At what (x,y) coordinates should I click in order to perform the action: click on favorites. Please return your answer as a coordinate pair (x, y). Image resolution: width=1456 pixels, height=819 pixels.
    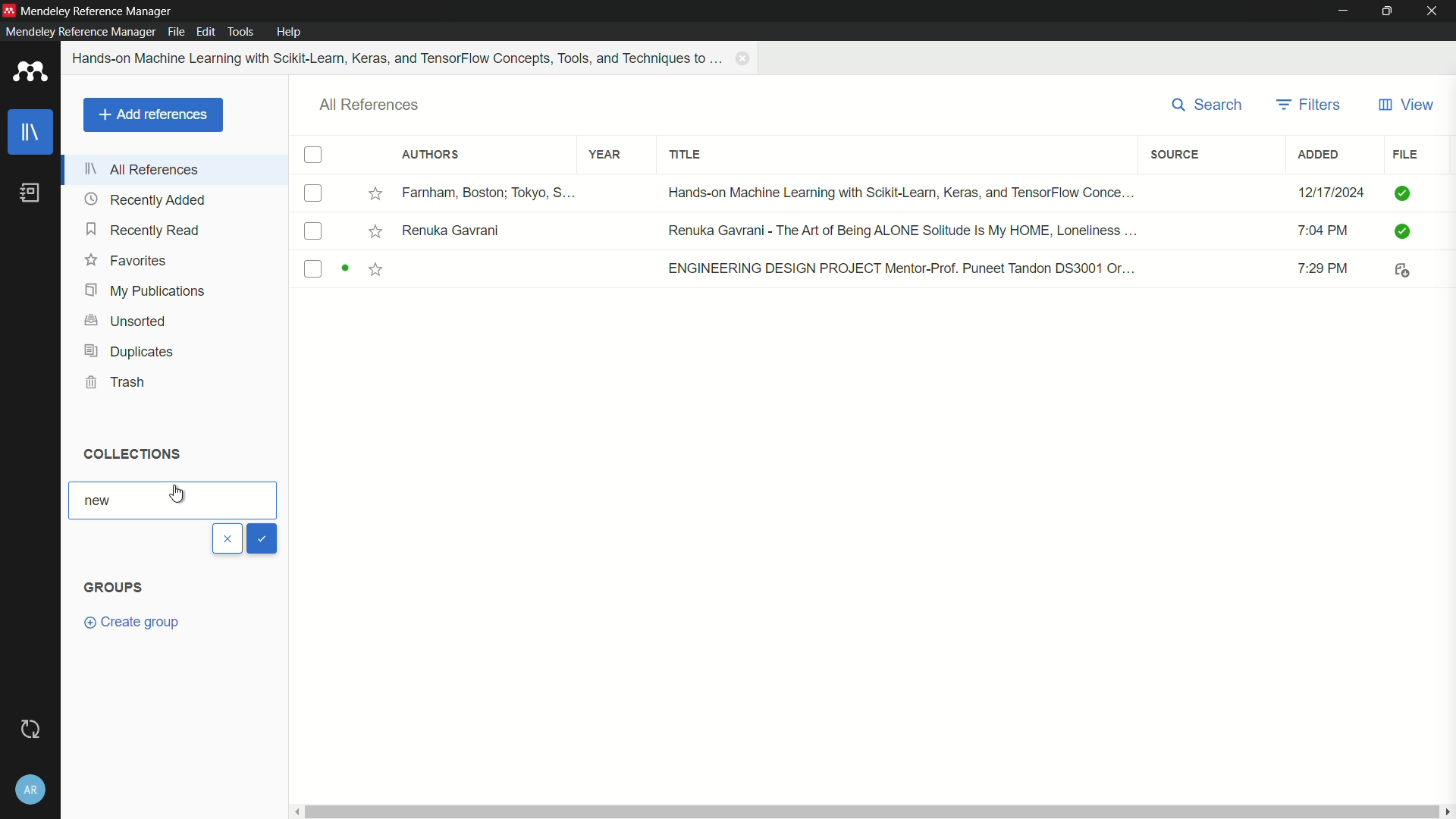
    Looking at the image, I should click on (126, 260).